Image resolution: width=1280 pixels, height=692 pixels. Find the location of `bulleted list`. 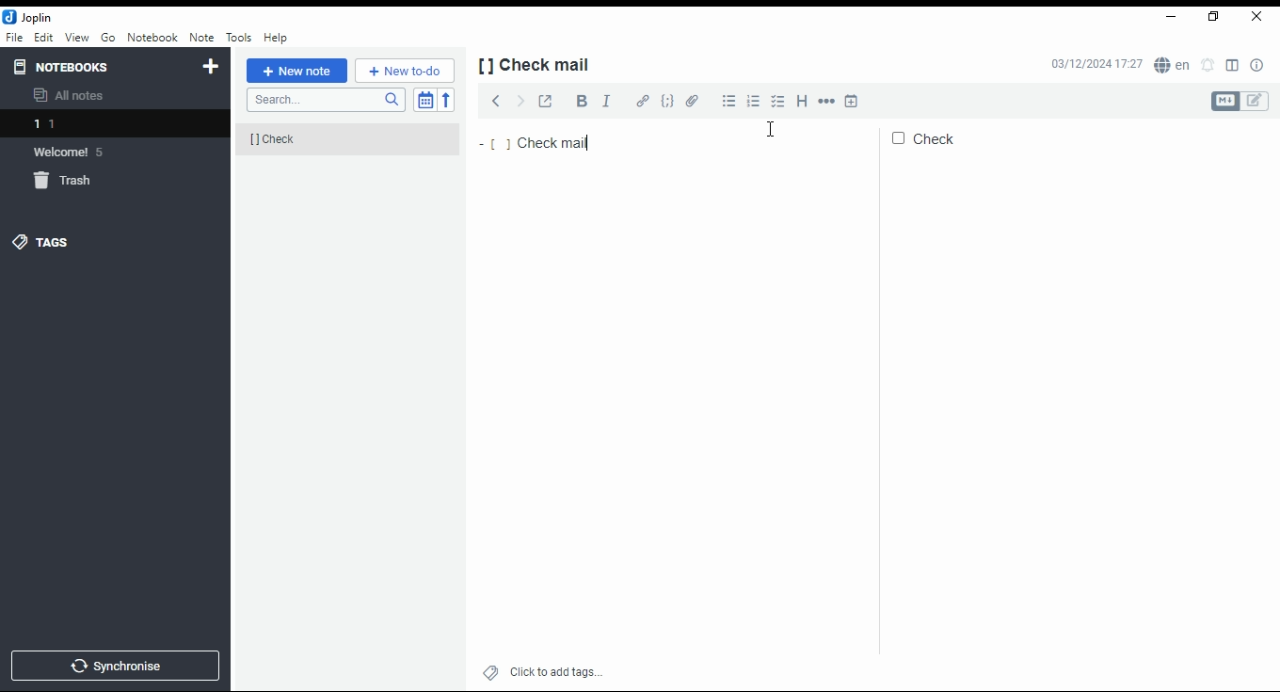

bulleted list is located at coordinates (727, 101).